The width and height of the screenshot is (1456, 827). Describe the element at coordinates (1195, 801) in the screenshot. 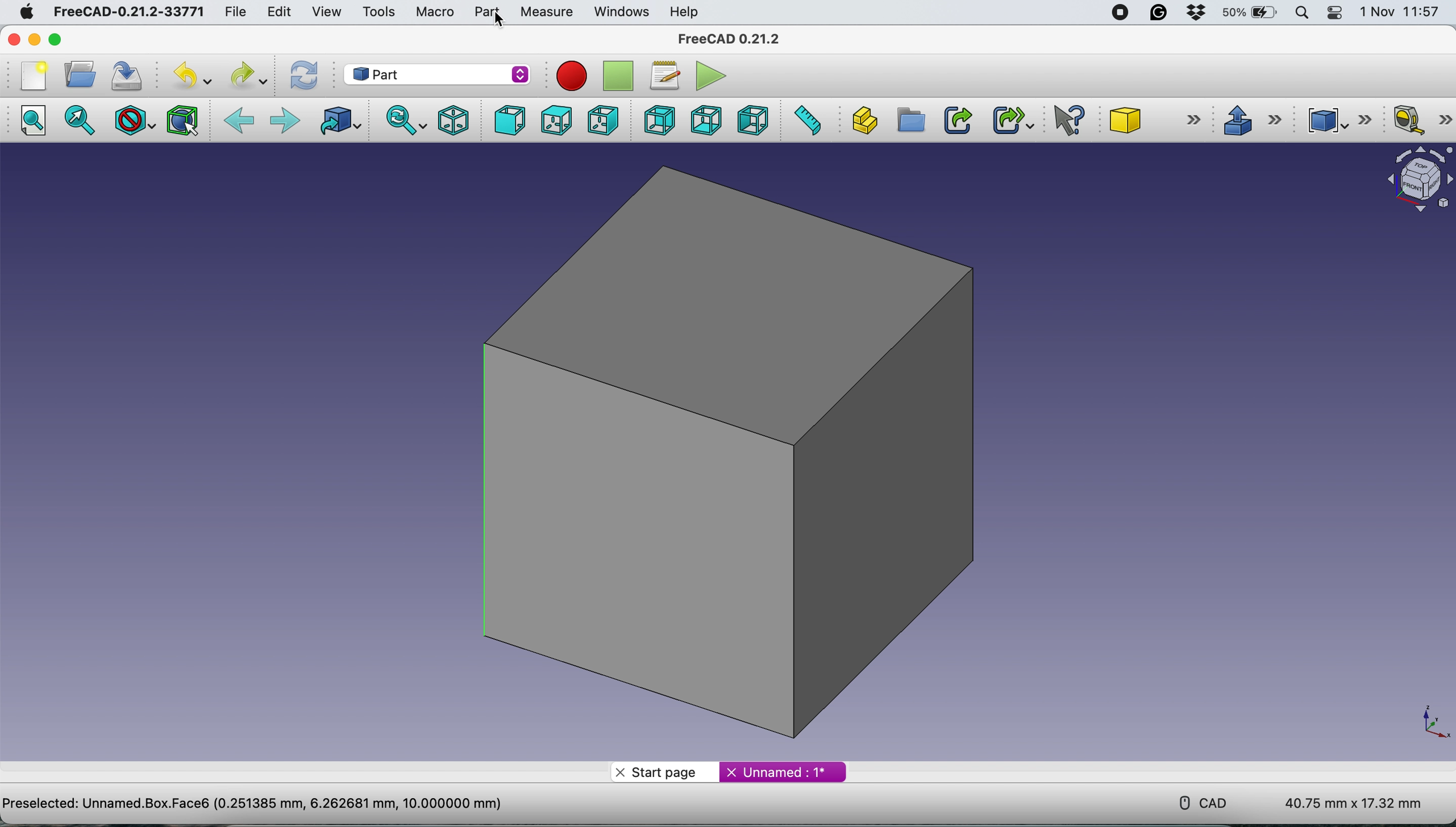

I see `cad` at that location.